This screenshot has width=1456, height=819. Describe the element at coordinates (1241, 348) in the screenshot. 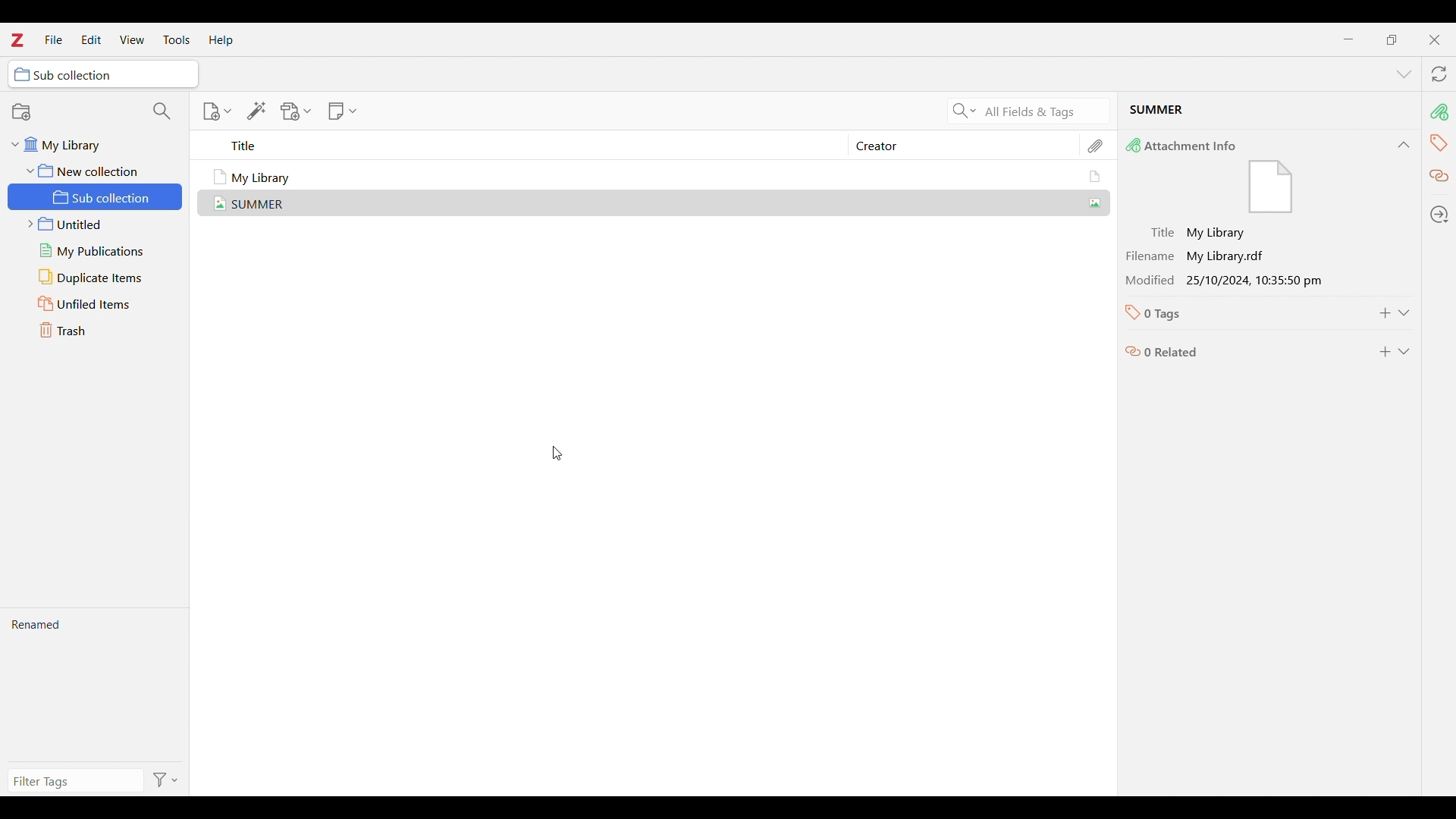

I see `0 related` at that location.